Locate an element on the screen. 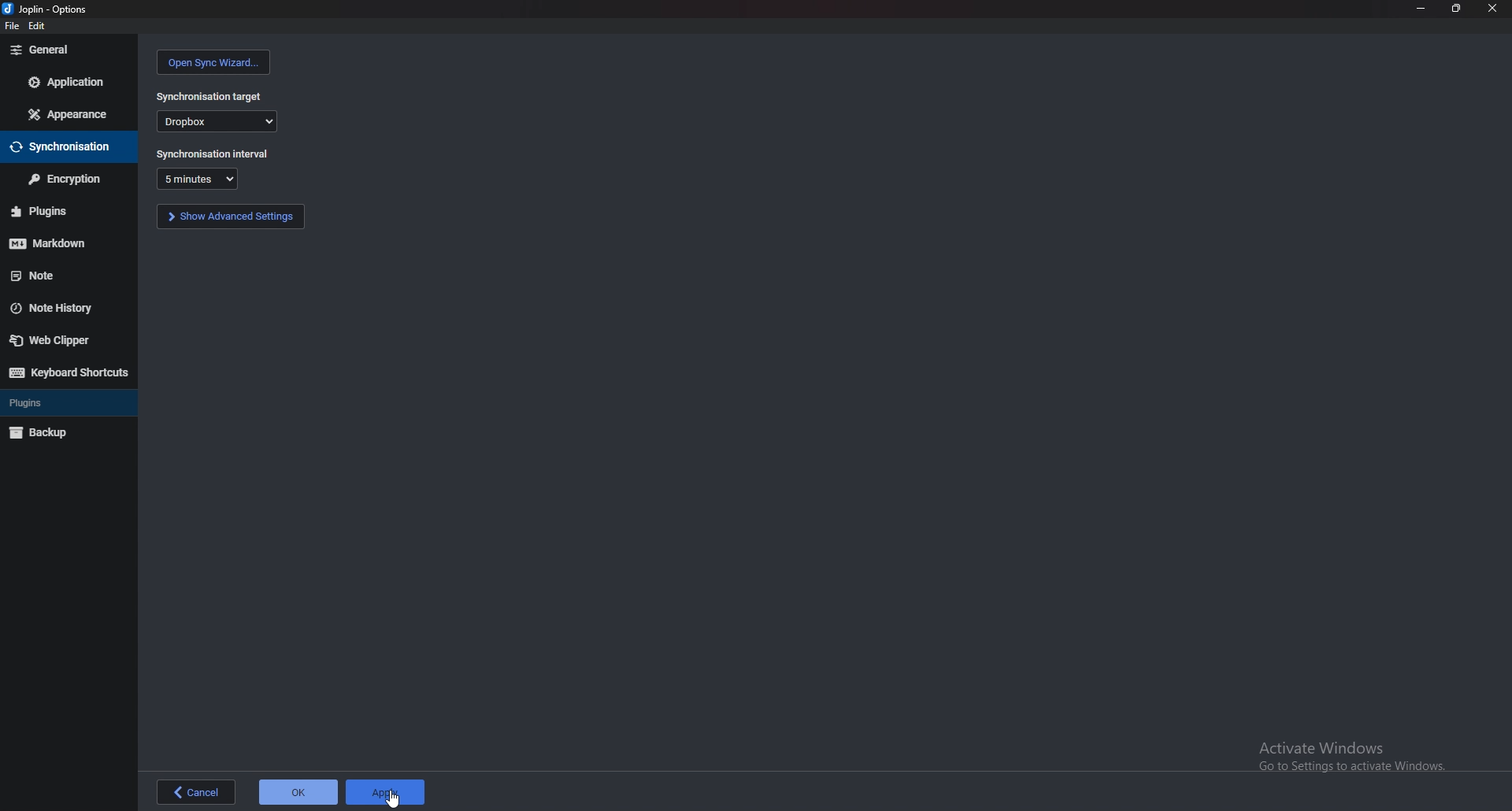  Activate Windows is located at coordinates (1349, 757).